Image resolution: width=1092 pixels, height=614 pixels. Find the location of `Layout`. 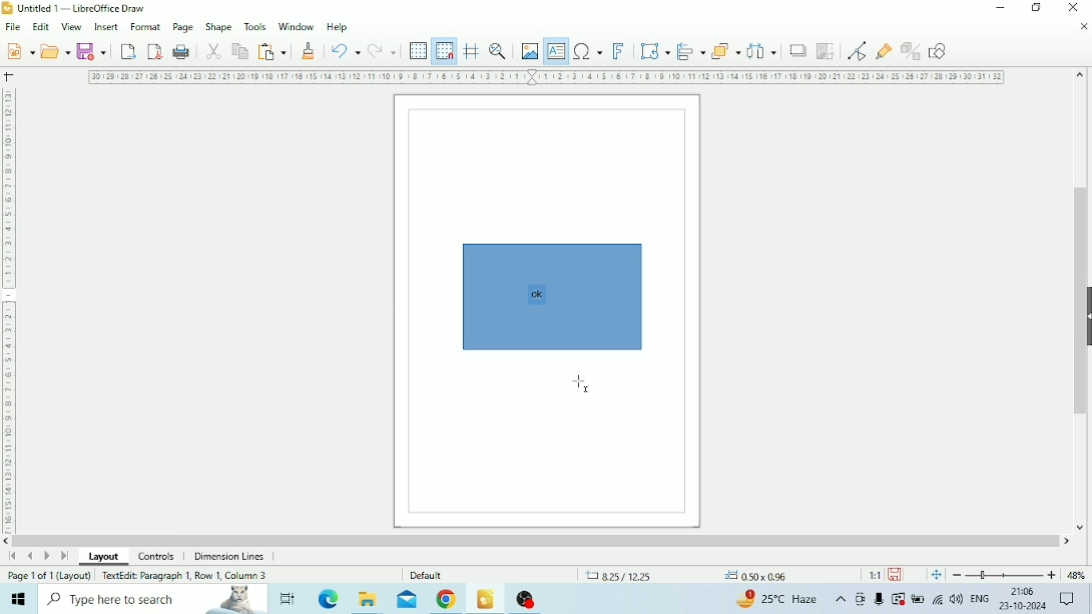

Layout is located at coordinates (104, 556).